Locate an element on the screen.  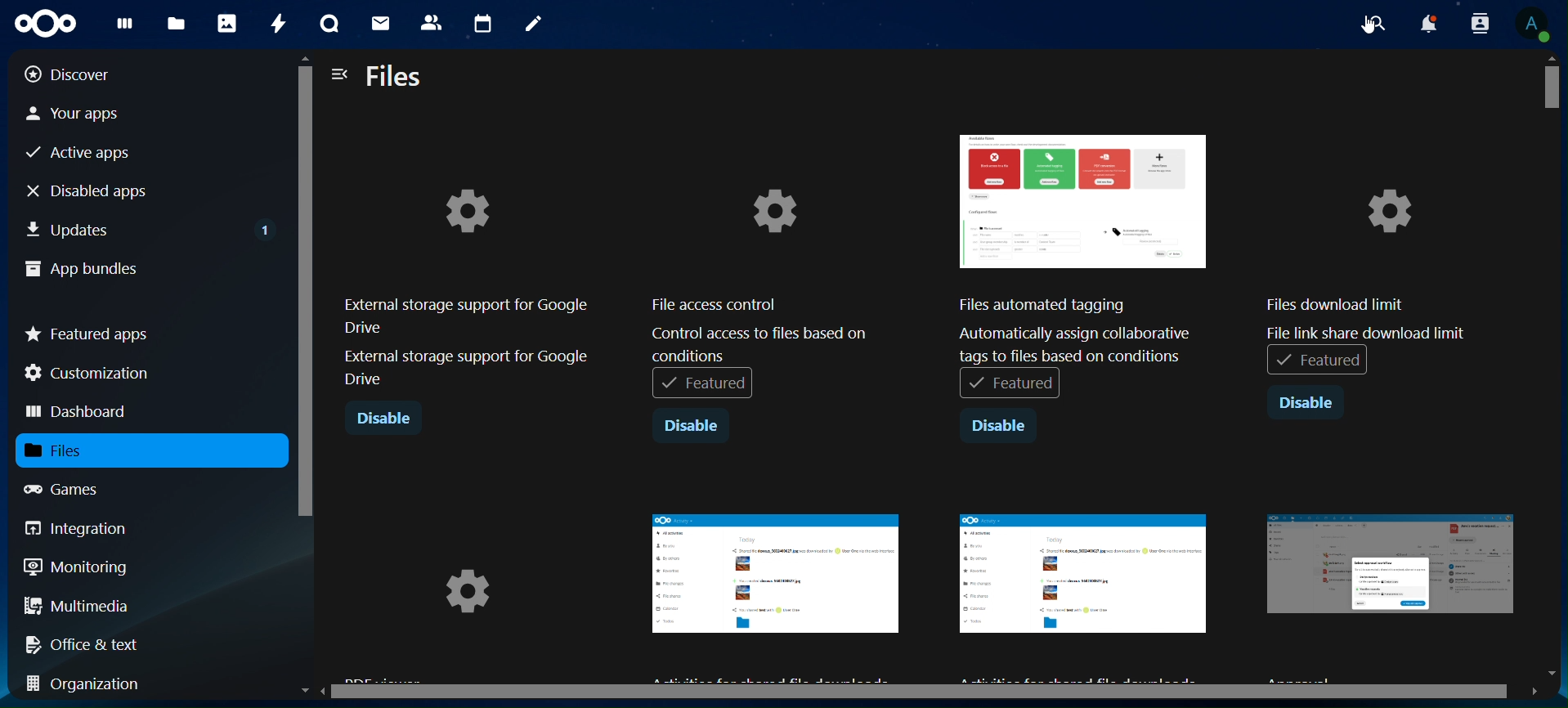
activity is located at coordinates (276, 24).